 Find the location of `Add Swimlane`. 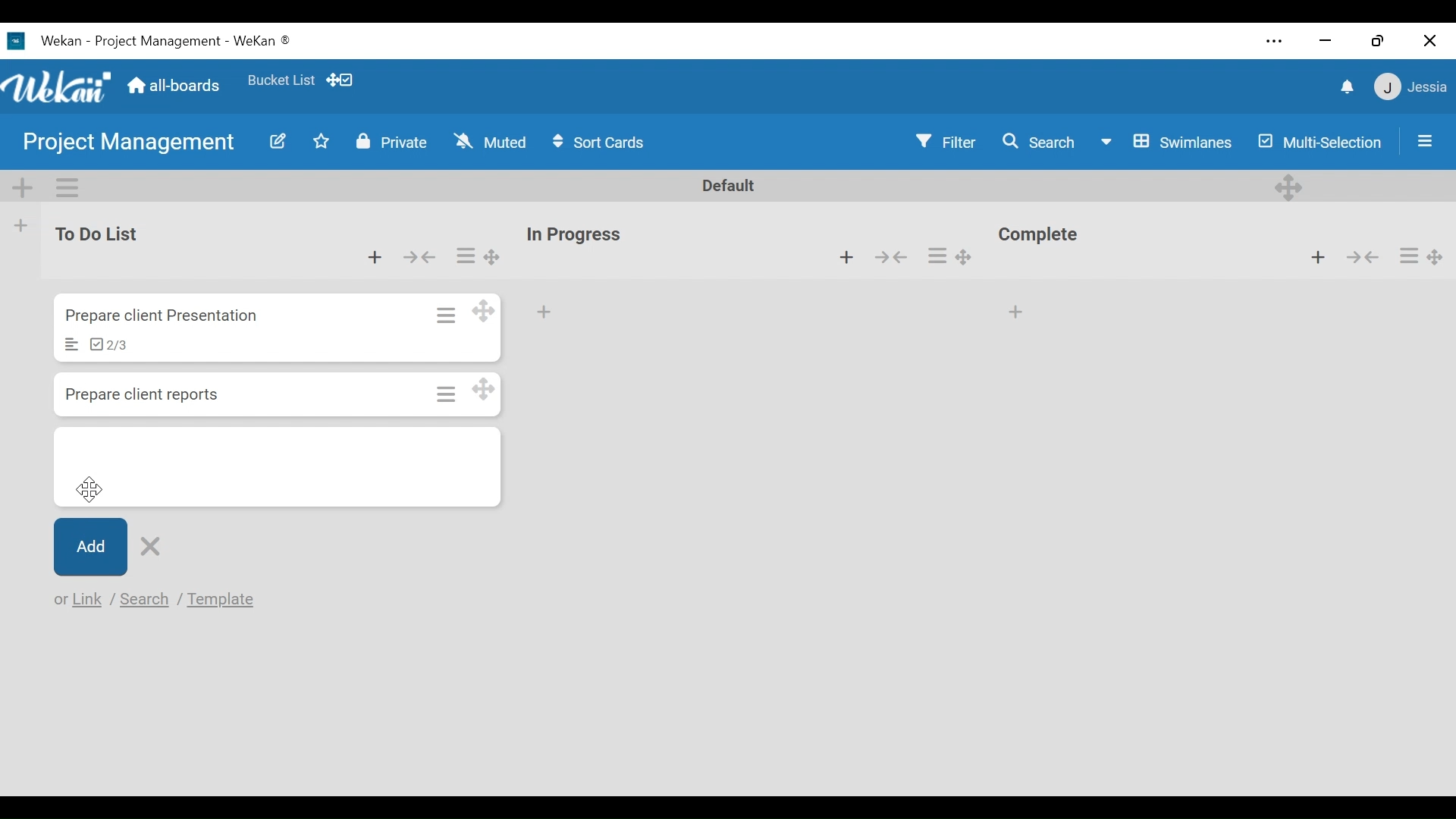

Add Swimlane is located at coordinates (24, 184).